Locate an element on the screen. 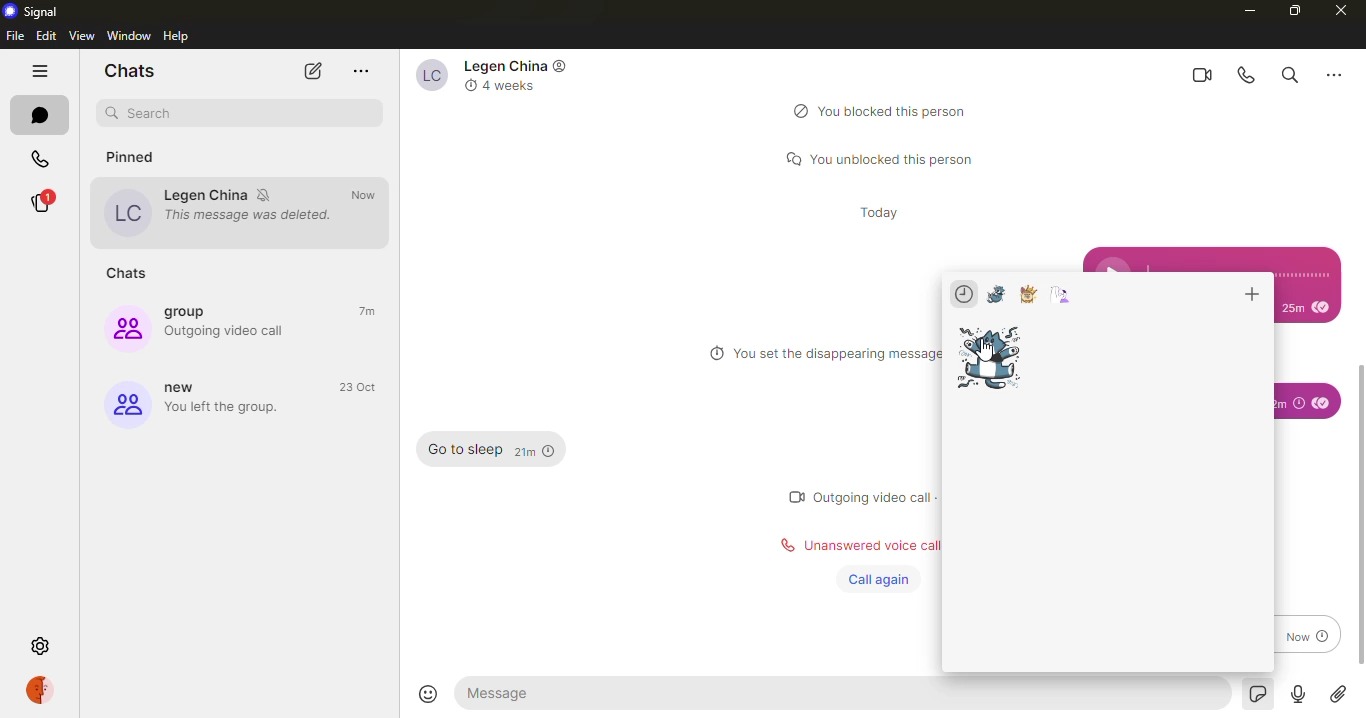 The width and height of the screenshot is (1366, 718). Outgoing video call is located at coordinates (229, 331).